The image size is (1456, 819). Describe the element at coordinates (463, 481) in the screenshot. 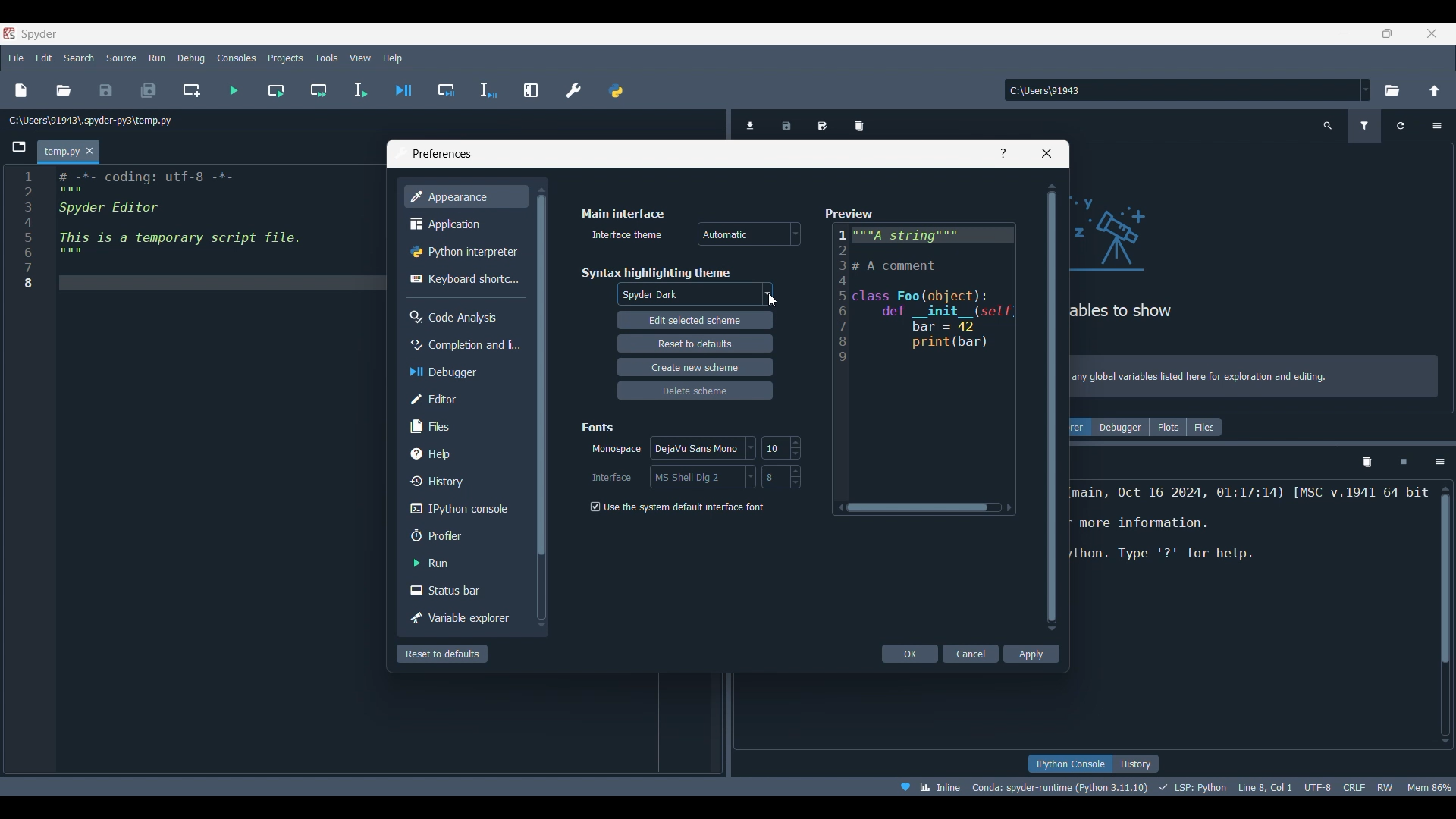

I see `History` at that location.